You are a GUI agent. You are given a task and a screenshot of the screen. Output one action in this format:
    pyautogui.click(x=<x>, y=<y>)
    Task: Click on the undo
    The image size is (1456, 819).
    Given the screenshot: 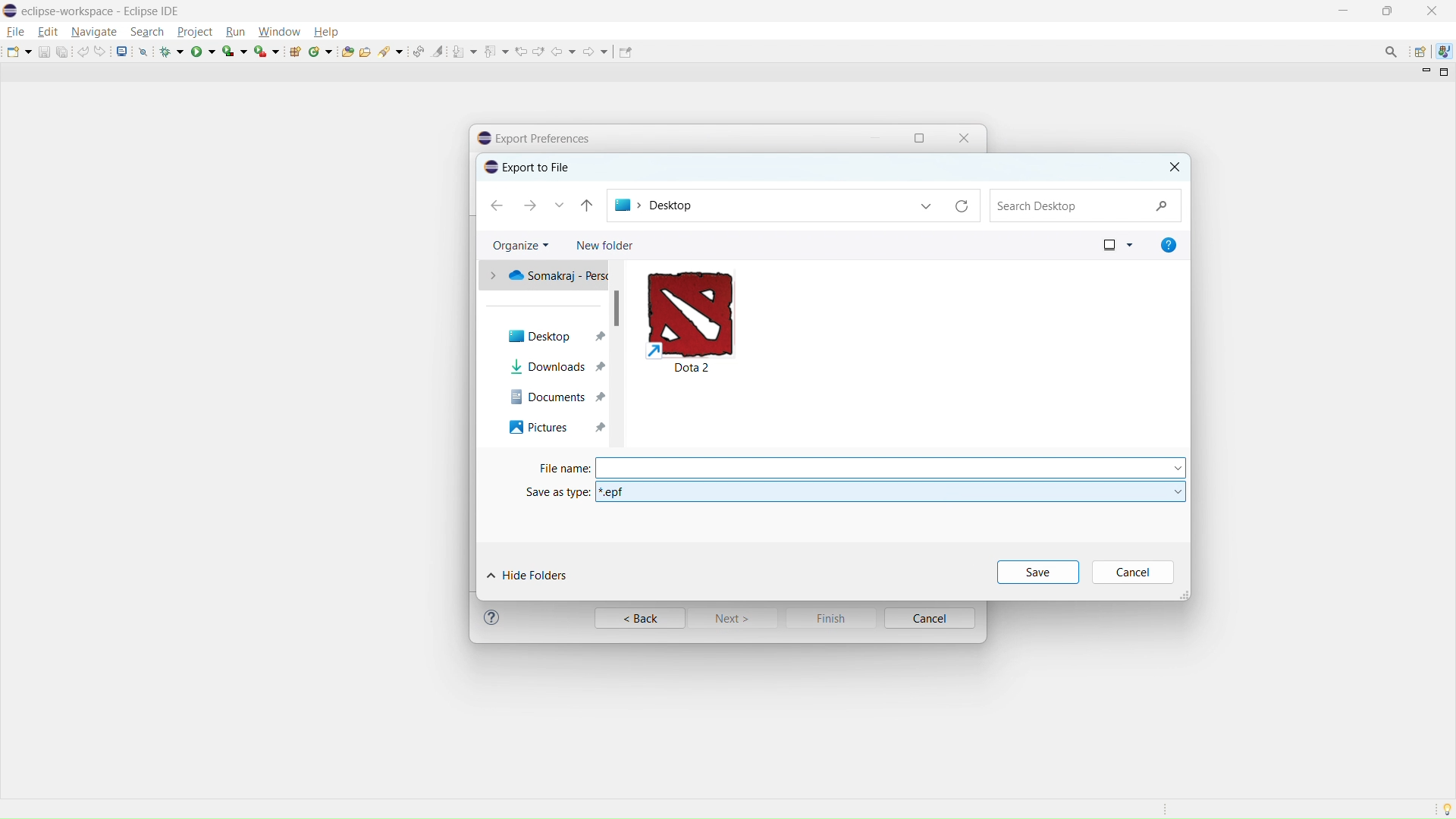 What is the action you would take?
    pyautogui.click(x=83, y=52)
    